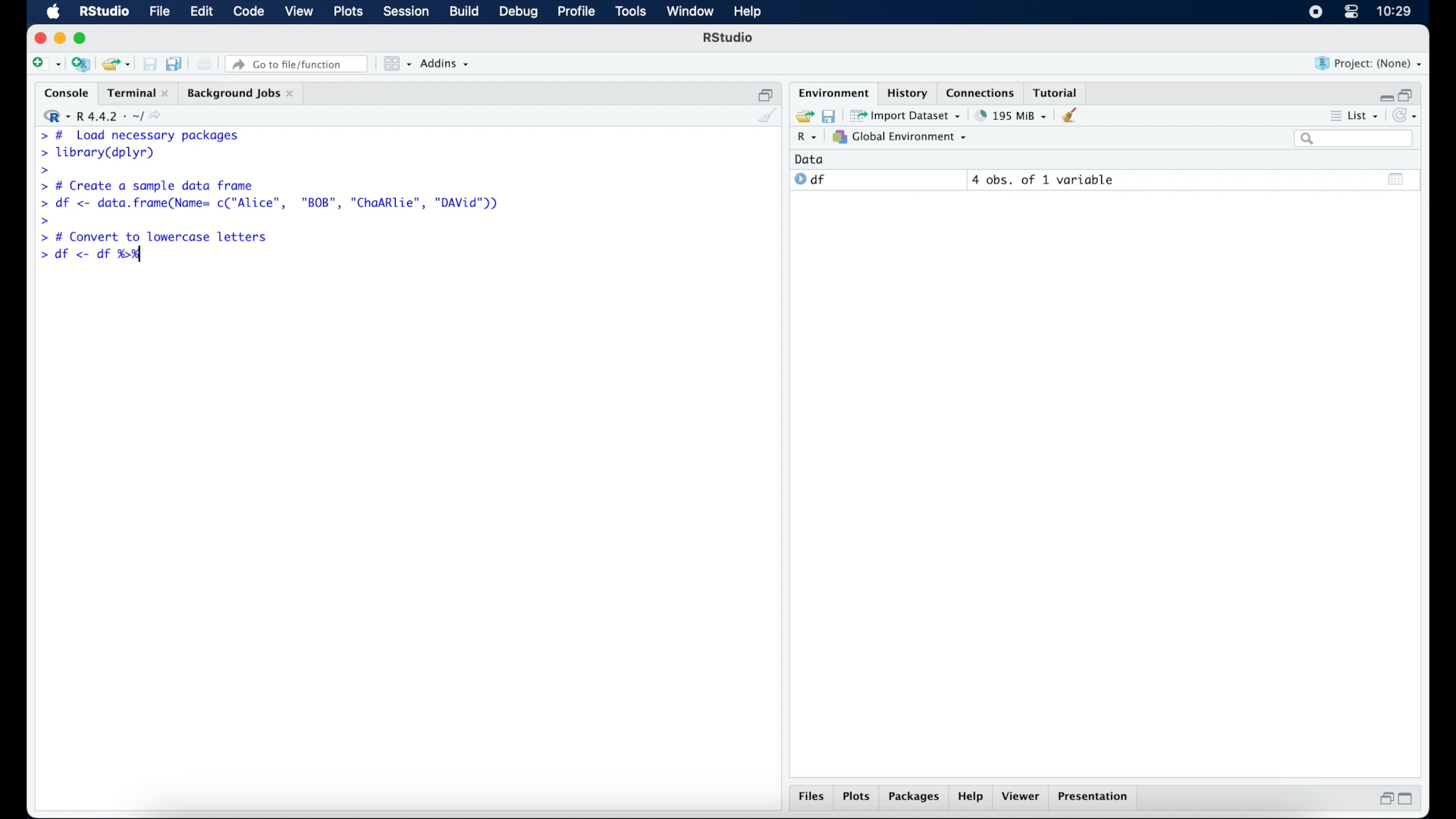 Image resolution: width=1456 pixels, height=819 pixels. What do you see at coordinates (1046, 180) in the screenshot?
I see `4 obs, of 2 variables` at bounding box center [1046, 180].